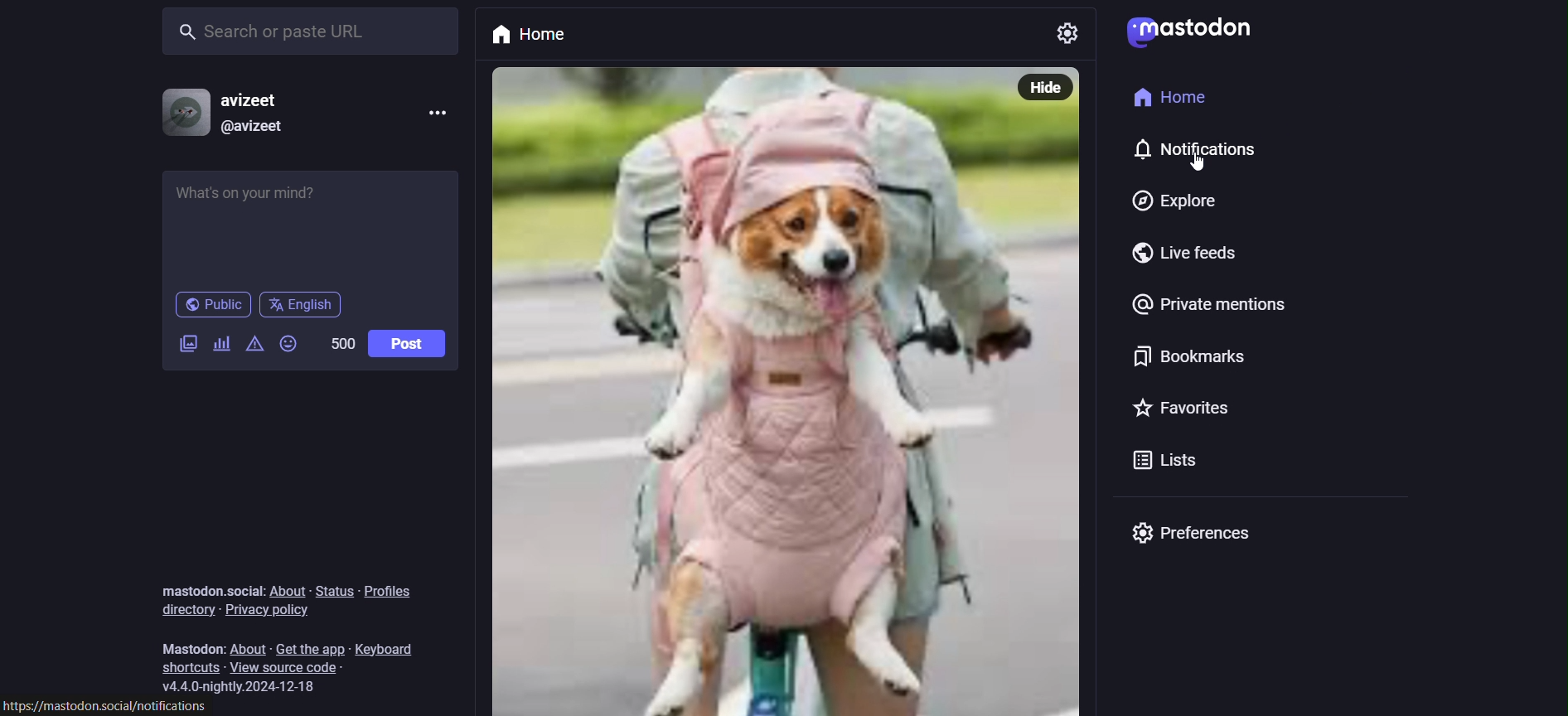 The width and height of the screenshot is (1568, 716). What do you see at coordinates (211, 307) in the screenshot?
I see `public` at bounding box center [211, 307].